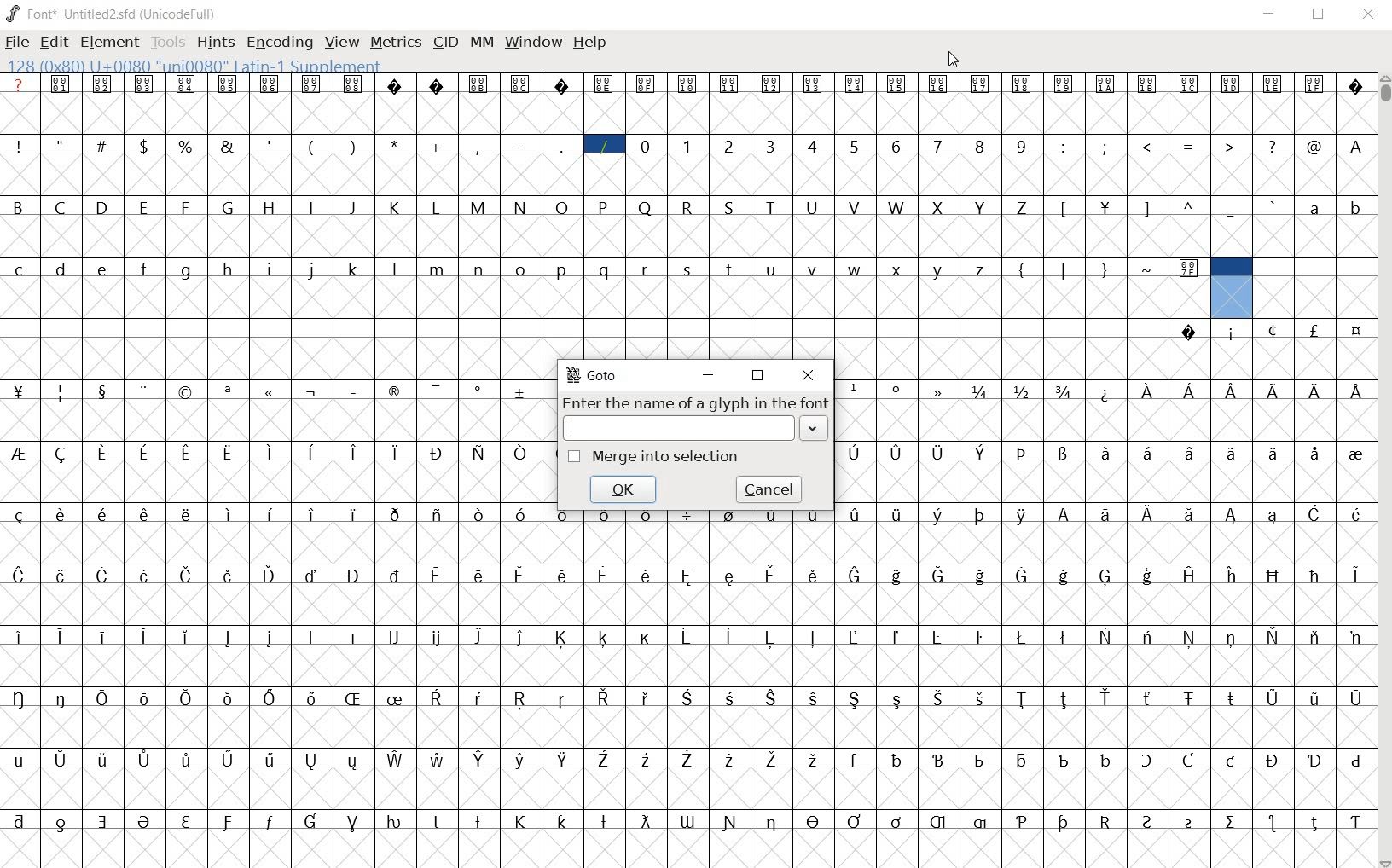  Describe the element at coordinates (816, 431) in the screenshot. I see `Drop down` at that location.